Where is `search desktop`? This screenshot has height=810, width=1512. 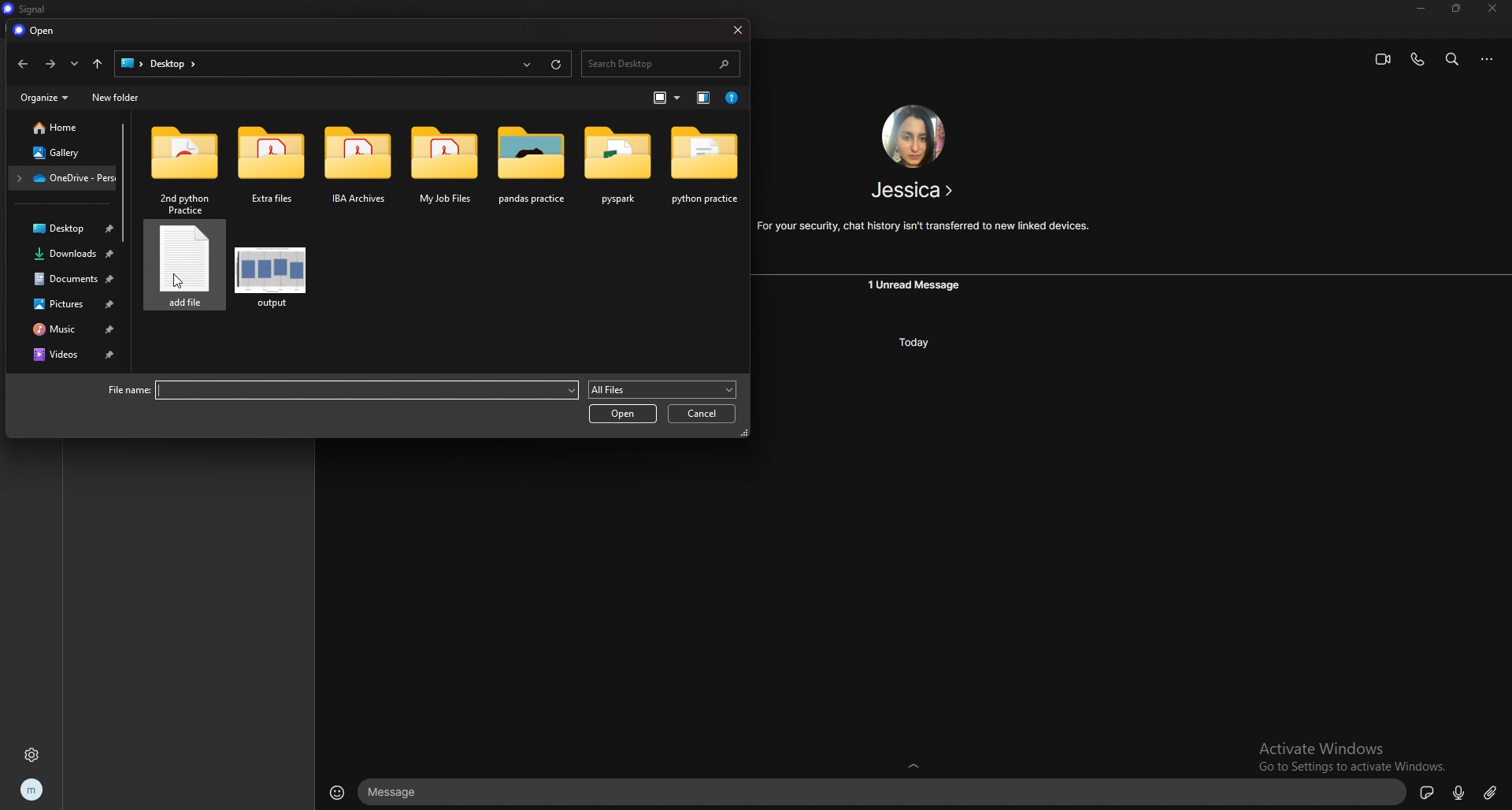 search desktop is located at coordinates (661, 62).